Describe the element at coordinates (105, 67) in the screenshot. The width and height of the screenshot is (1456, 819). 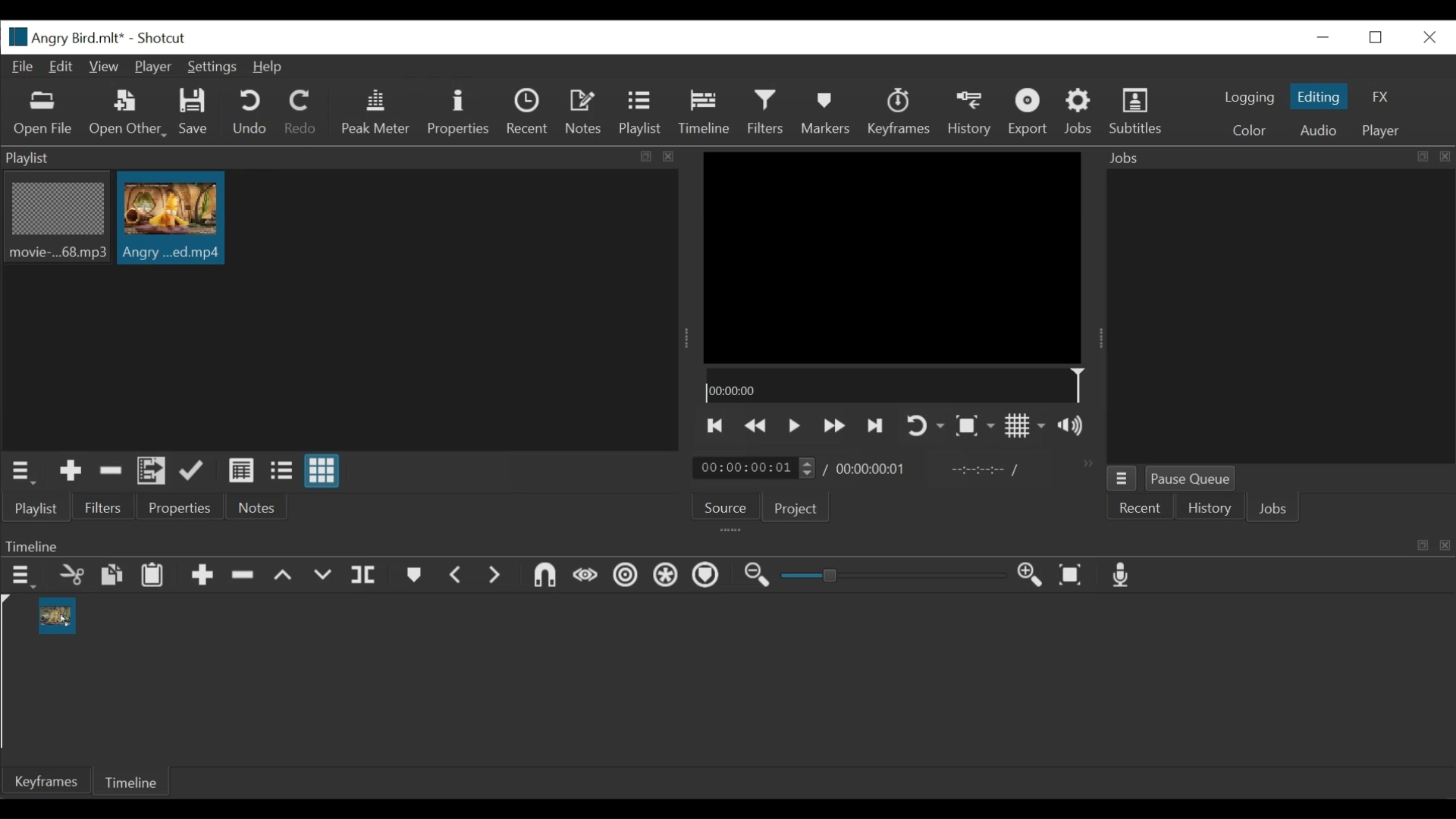
I see `View` at that location.